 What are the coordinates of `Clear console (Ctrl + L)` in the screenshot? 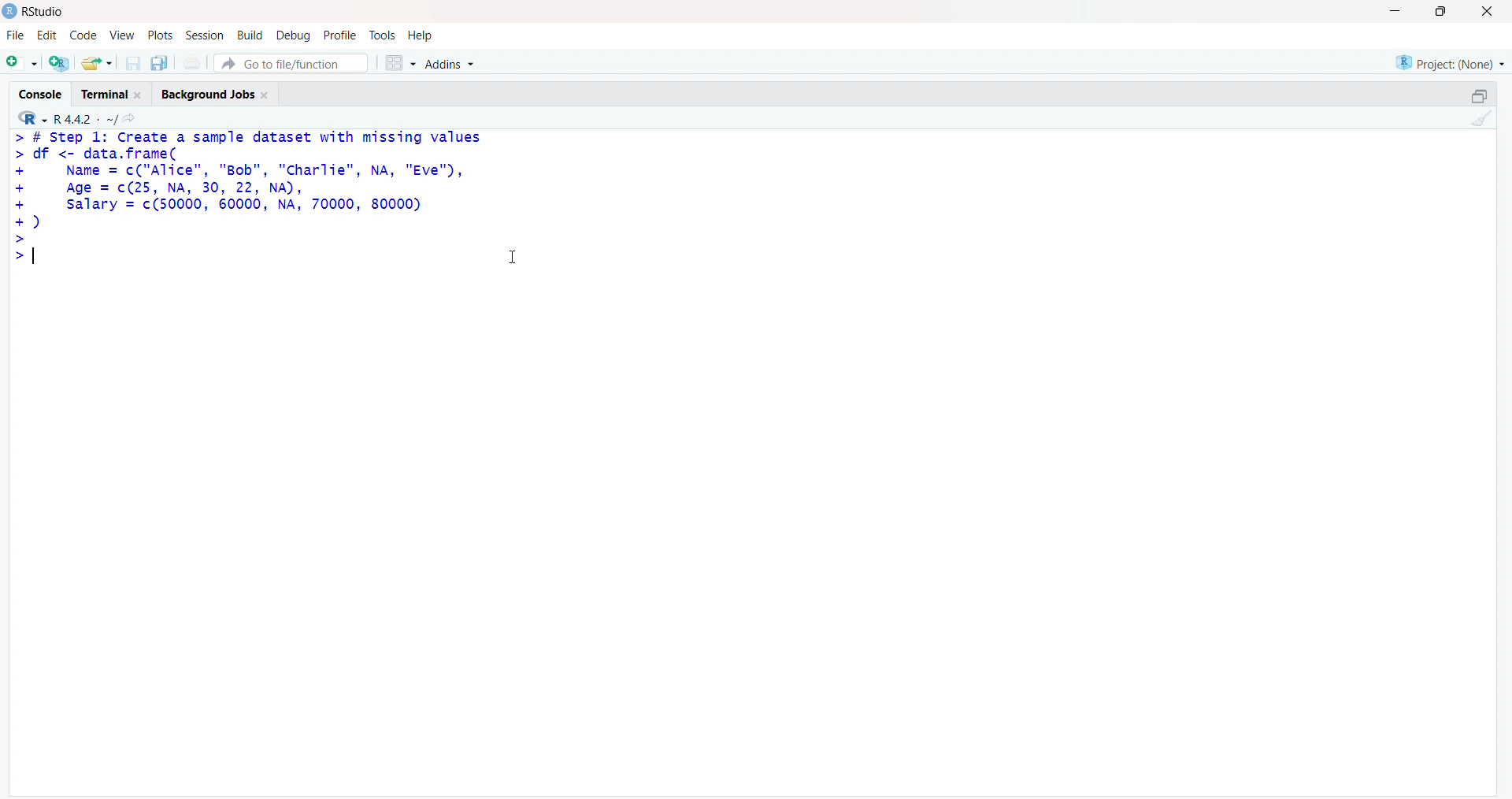 It's located at (1480, 120).